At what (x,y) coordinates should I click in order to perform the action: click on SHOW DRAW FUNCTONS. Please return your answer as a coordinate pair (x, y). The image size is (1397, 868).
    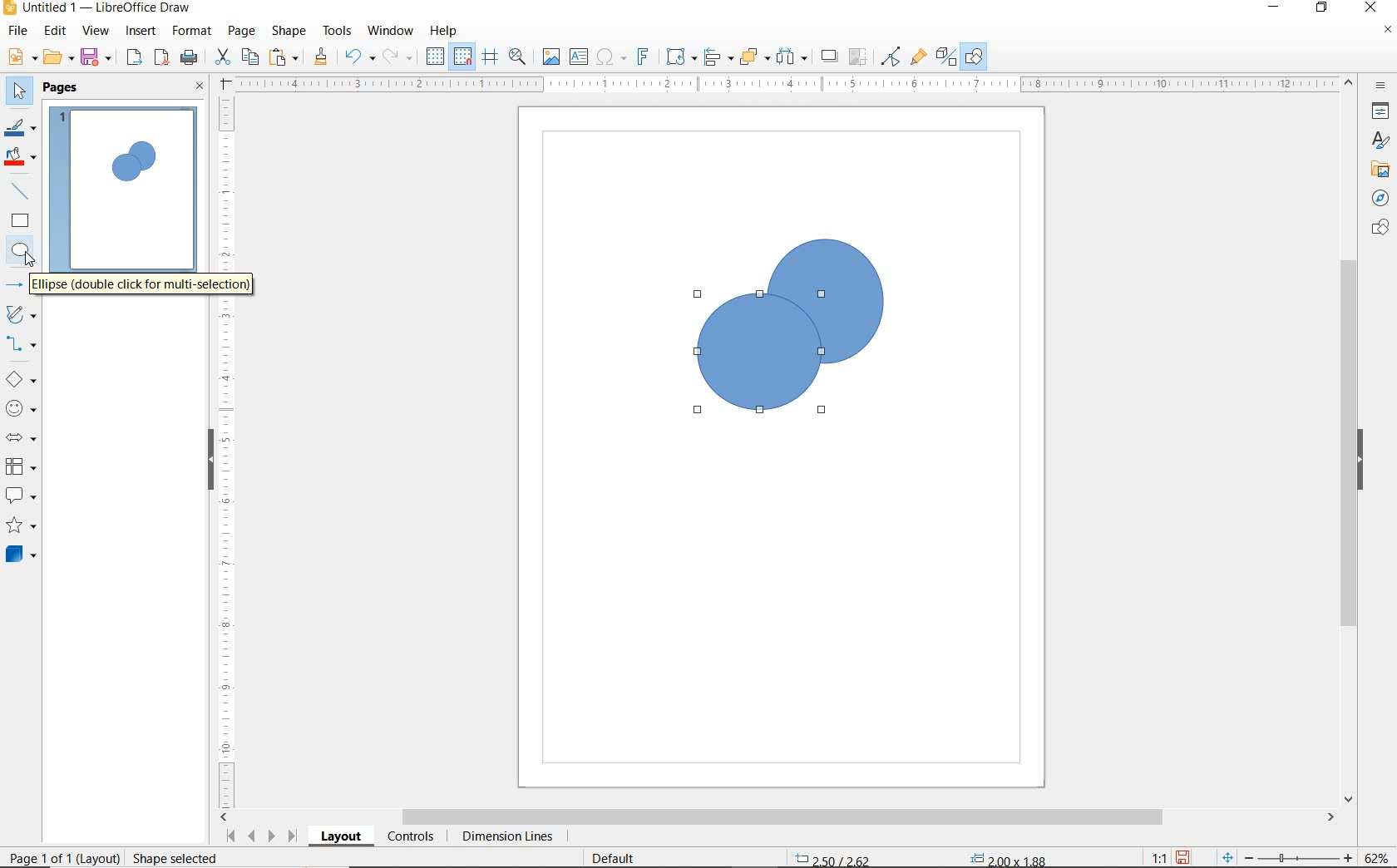
    Looking at the image, I should click on (974, 57).